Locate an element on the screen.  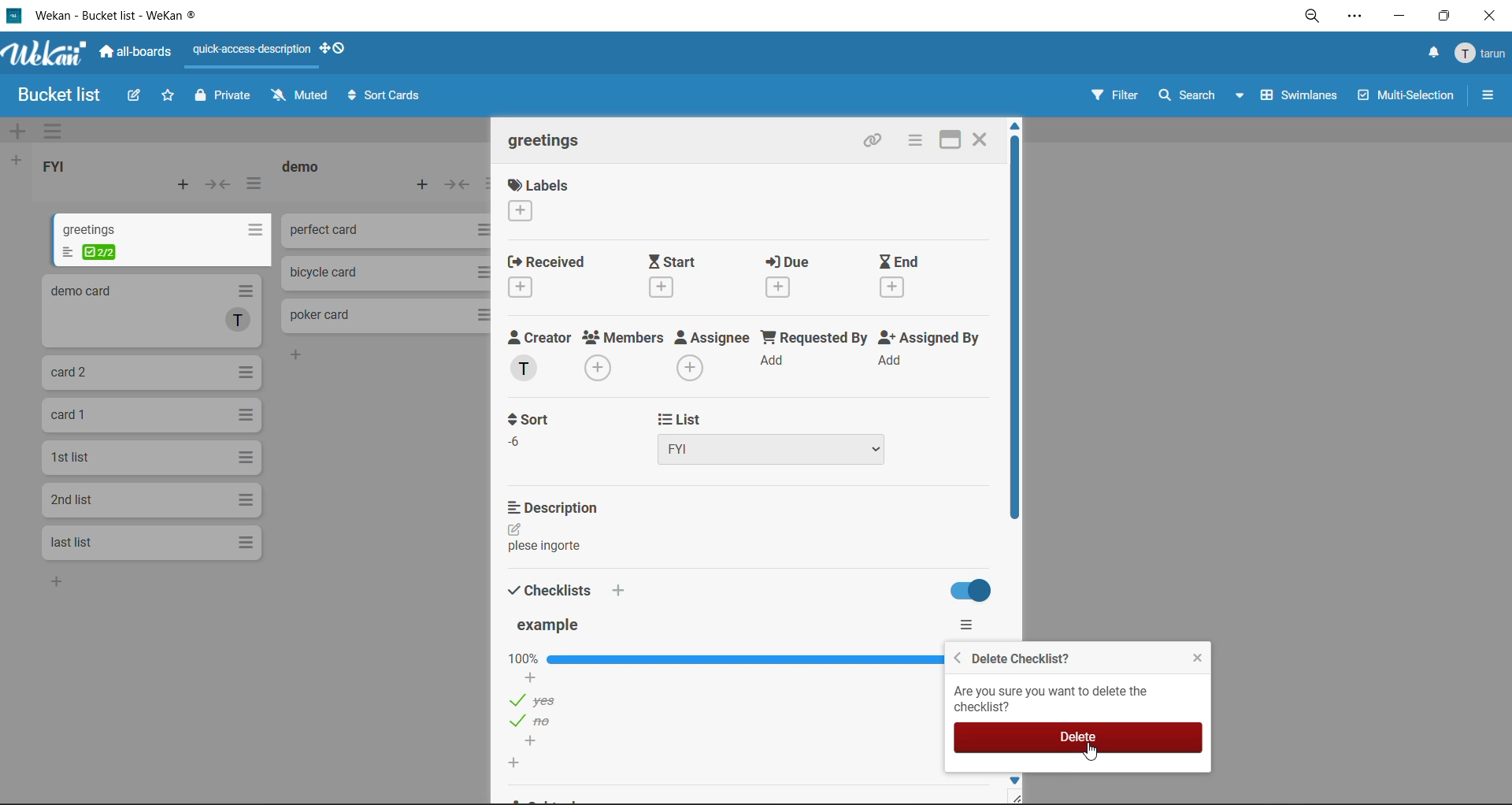
sidebar is located at coordinates (1488, 94).